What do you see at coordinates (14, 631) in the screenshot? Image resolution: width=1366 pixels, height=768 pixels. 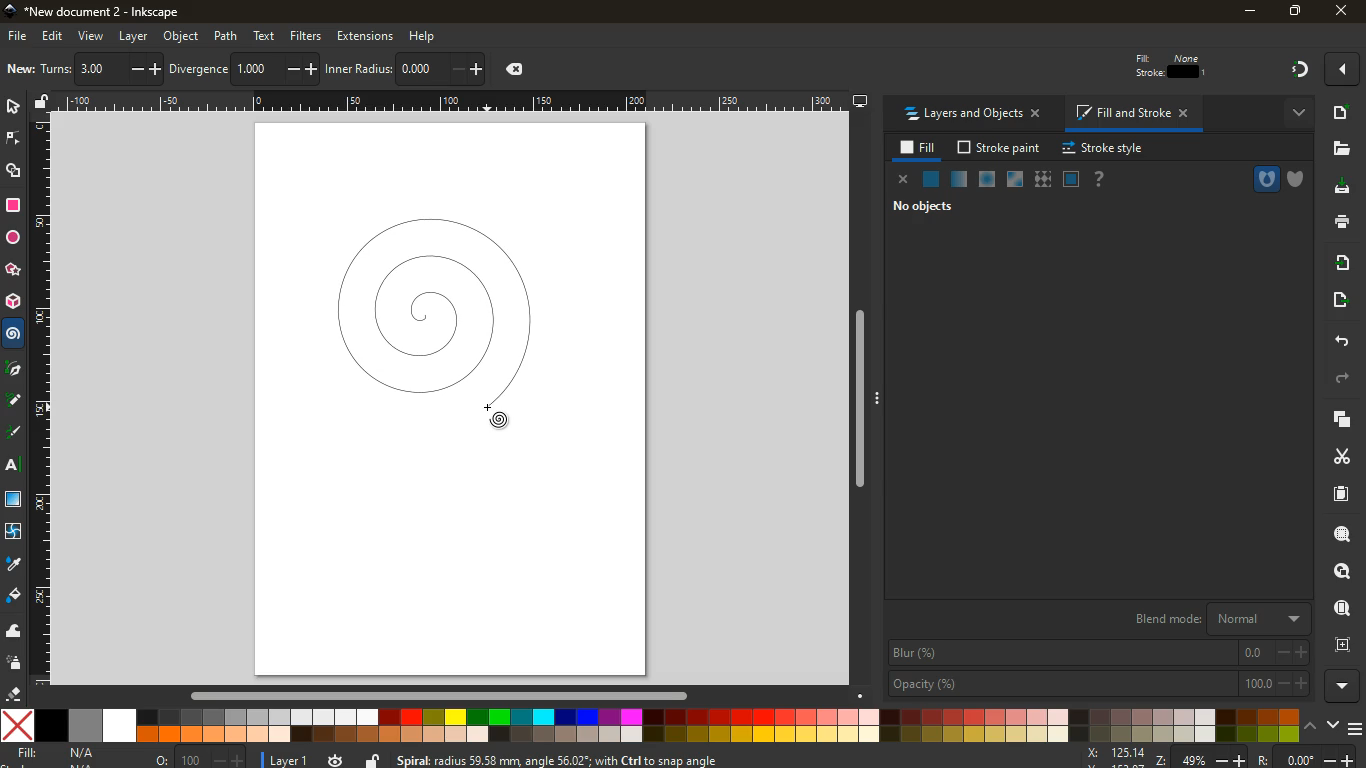 I see `wave` at bounding box center [14, 631].